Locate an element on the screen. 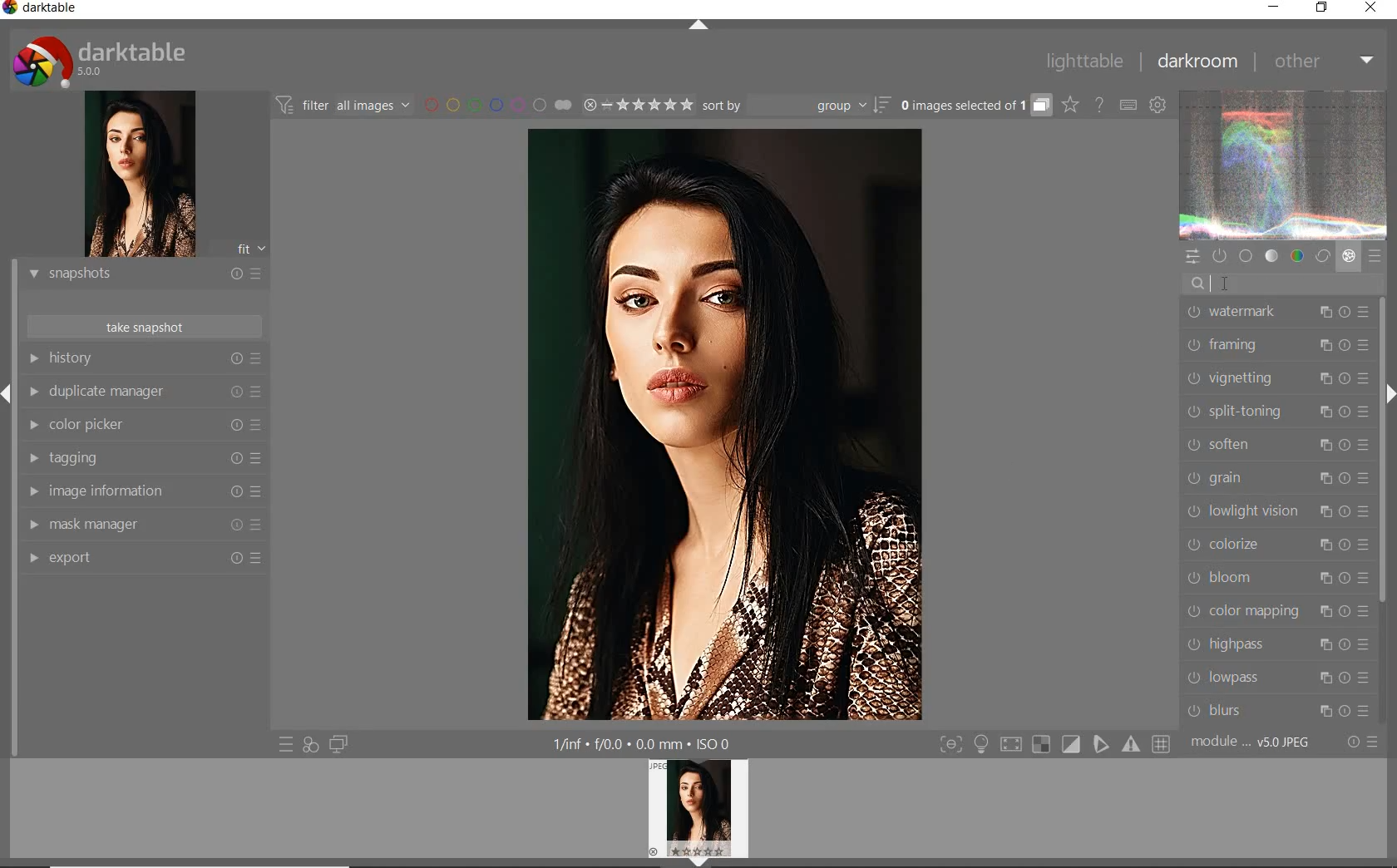 The height and width of the screenshot is (868, 1397). SCROLLBAR is located at coordinates (1387, 464).